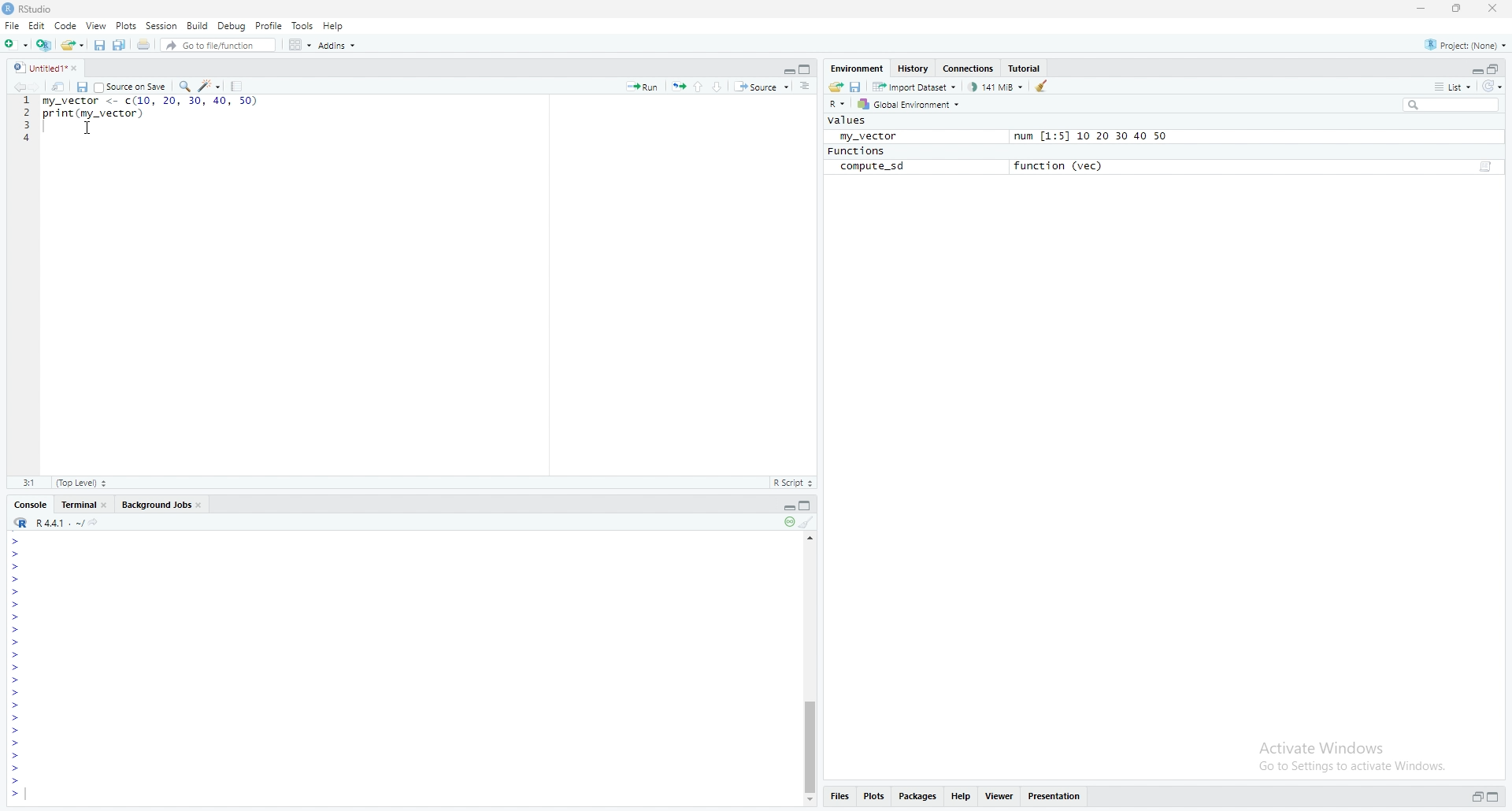 Image resolution: width=1512 pixels, height=811 pixels. I want to click on Source on Save, so click(130, 86).